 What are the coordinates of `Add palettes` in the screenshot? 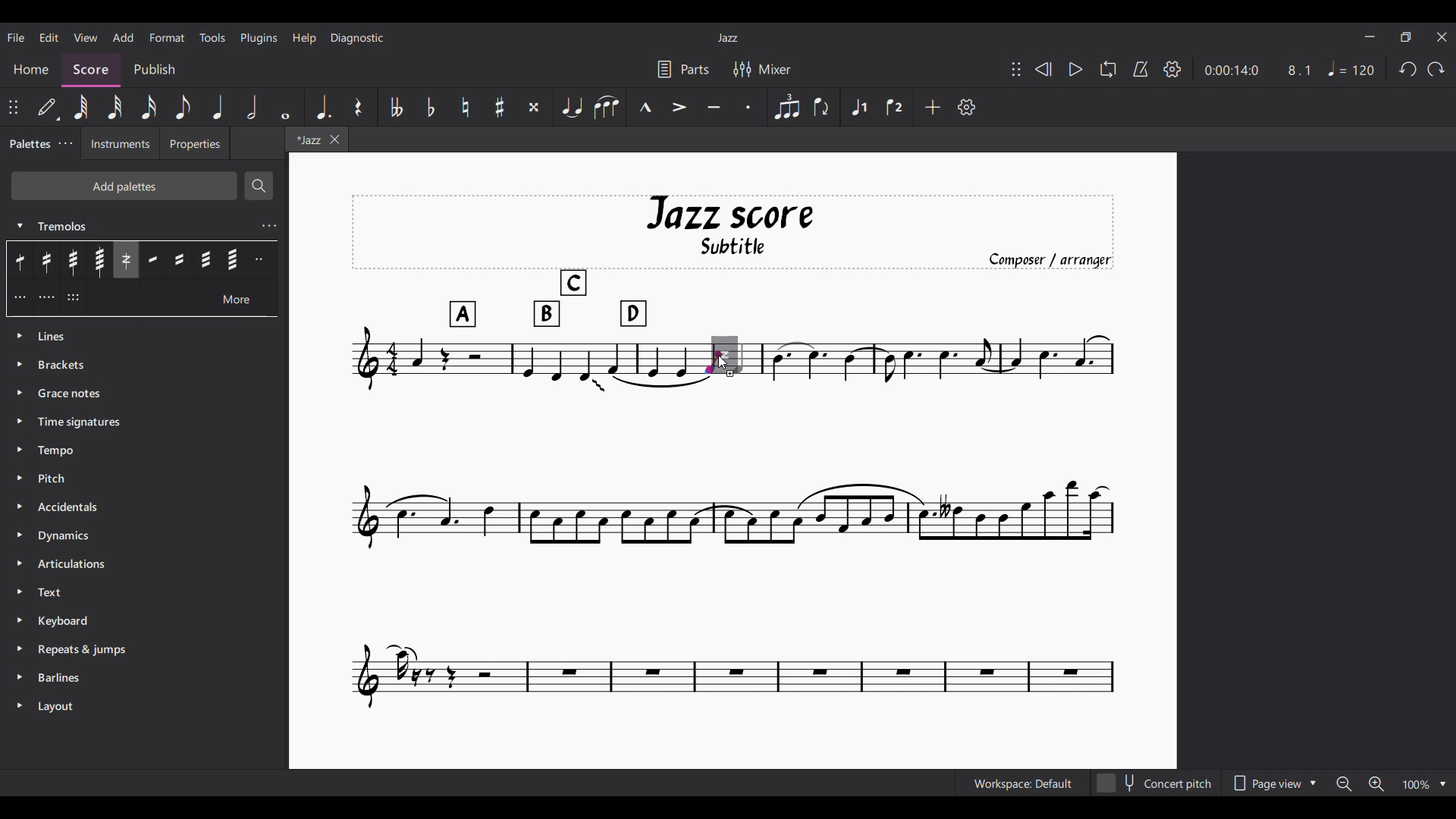 It's located at (124, 186).